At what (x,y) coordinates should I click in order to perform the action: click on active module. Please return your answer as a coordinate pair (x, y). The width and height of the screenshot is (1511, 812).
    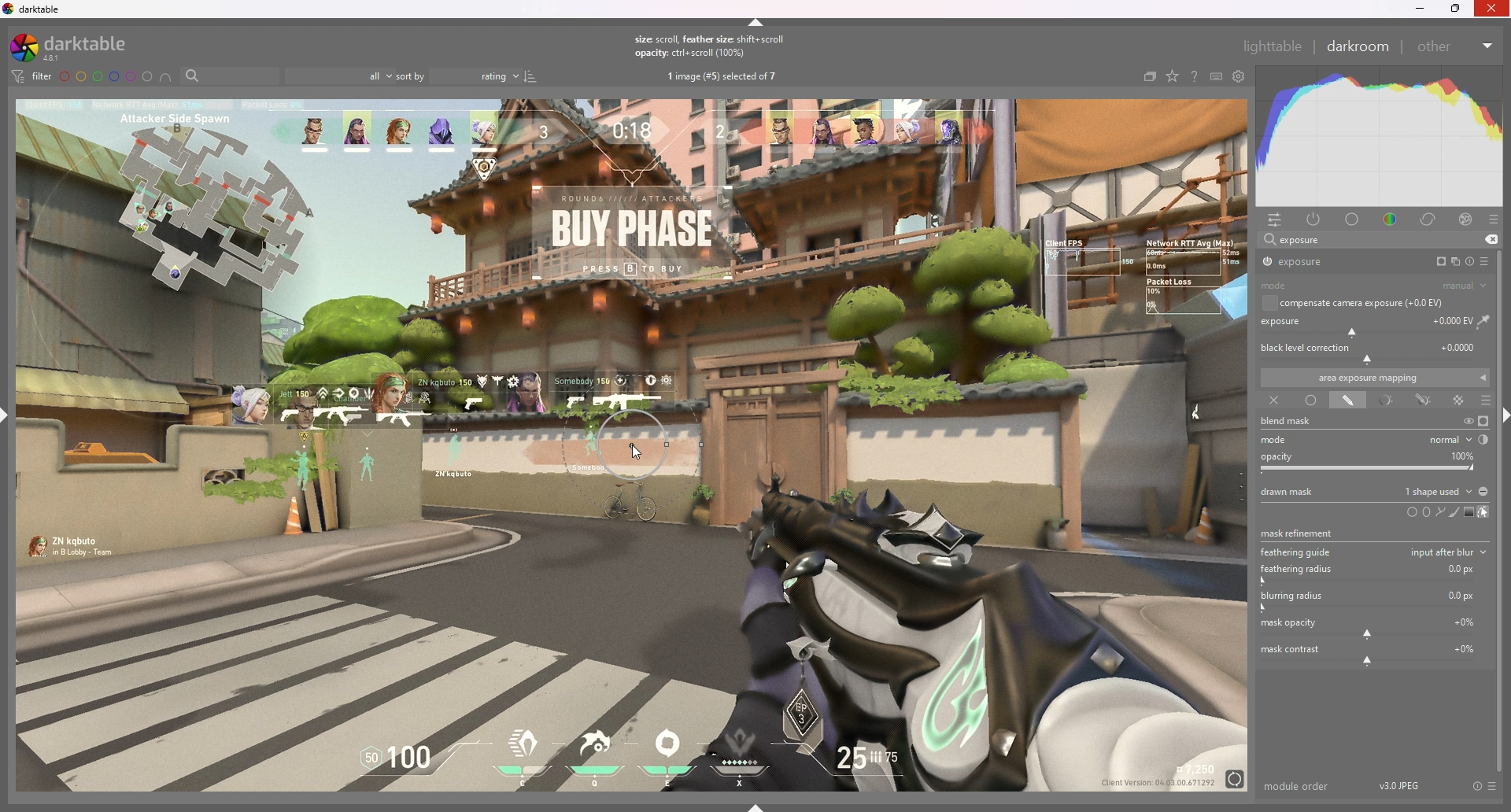
    Looking at the image, I should click on (1316, 220).